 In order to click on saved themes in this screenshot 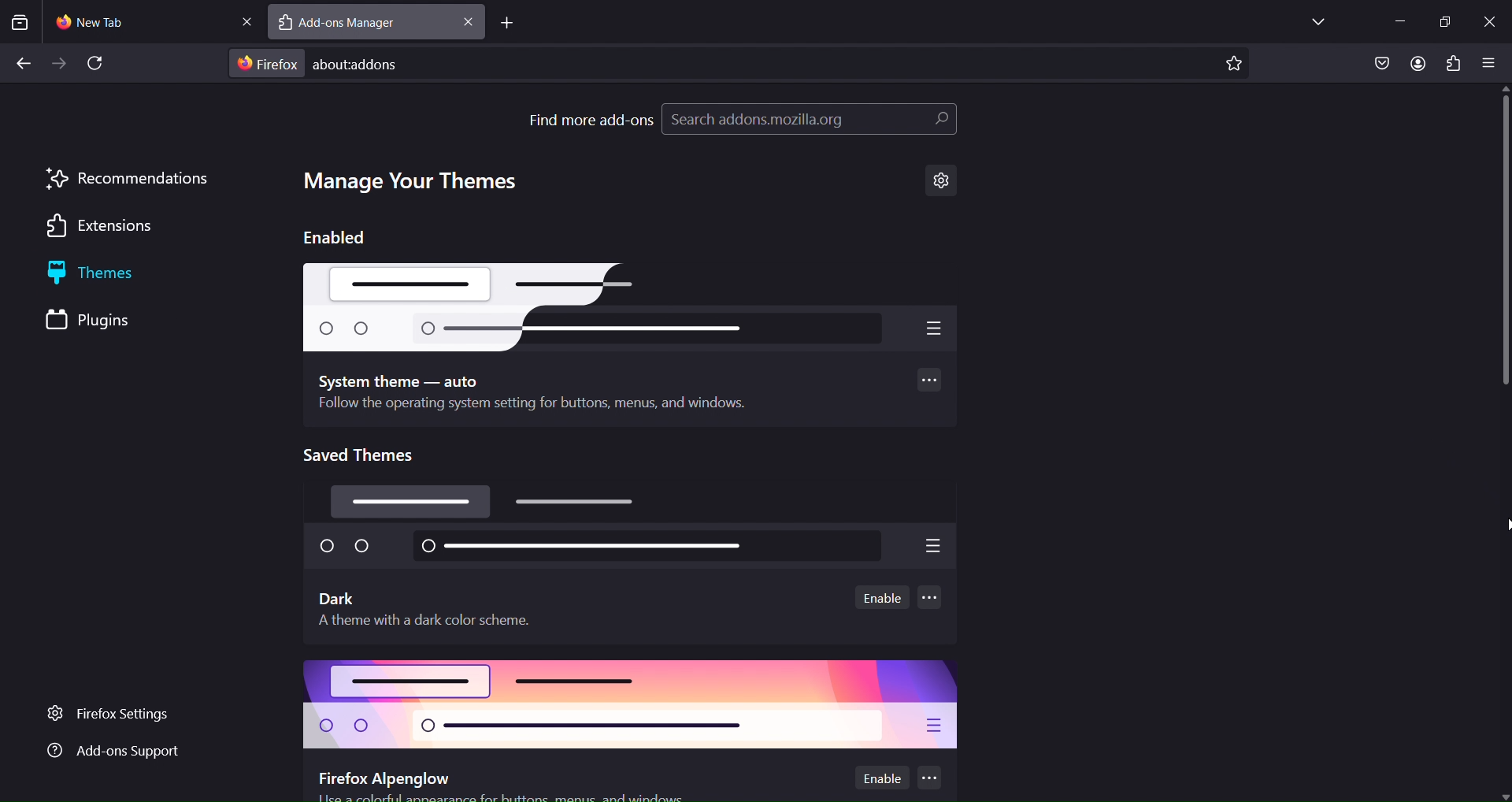, I will do `click(367, 455)`.